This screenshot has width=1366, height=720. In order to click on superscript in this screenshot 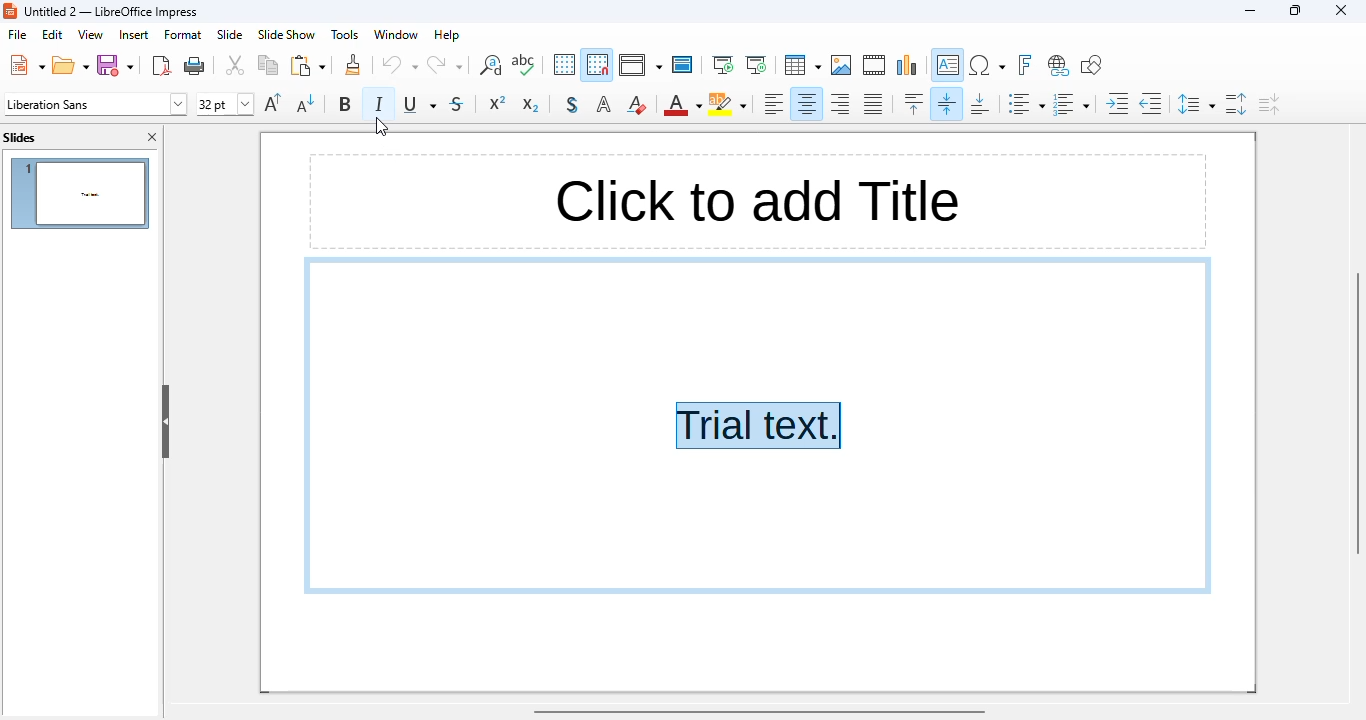, I will do `click(497, 103)`.